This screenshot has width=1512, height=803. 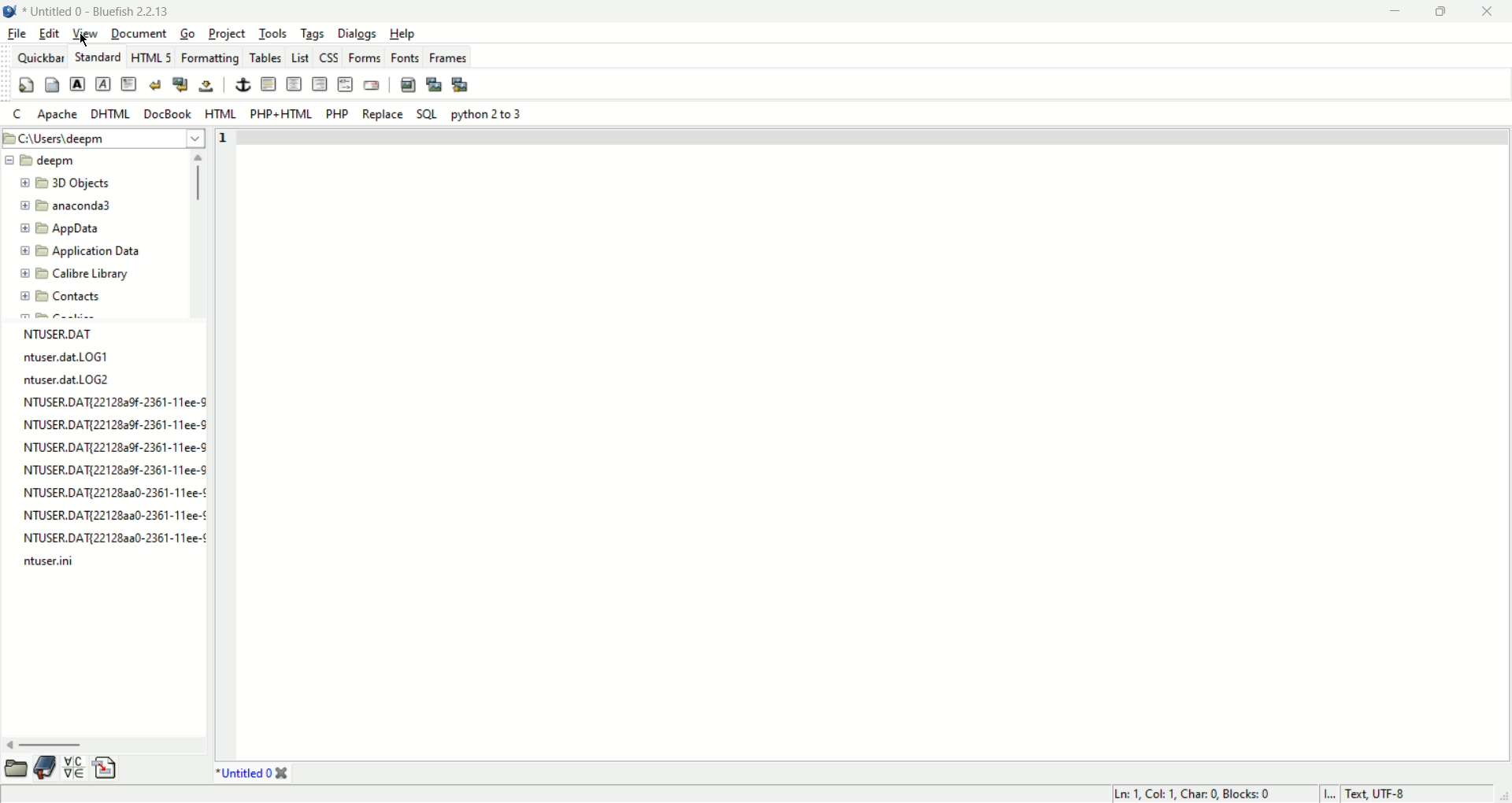 I want to click on quickstart, so click(x=25, y=84).